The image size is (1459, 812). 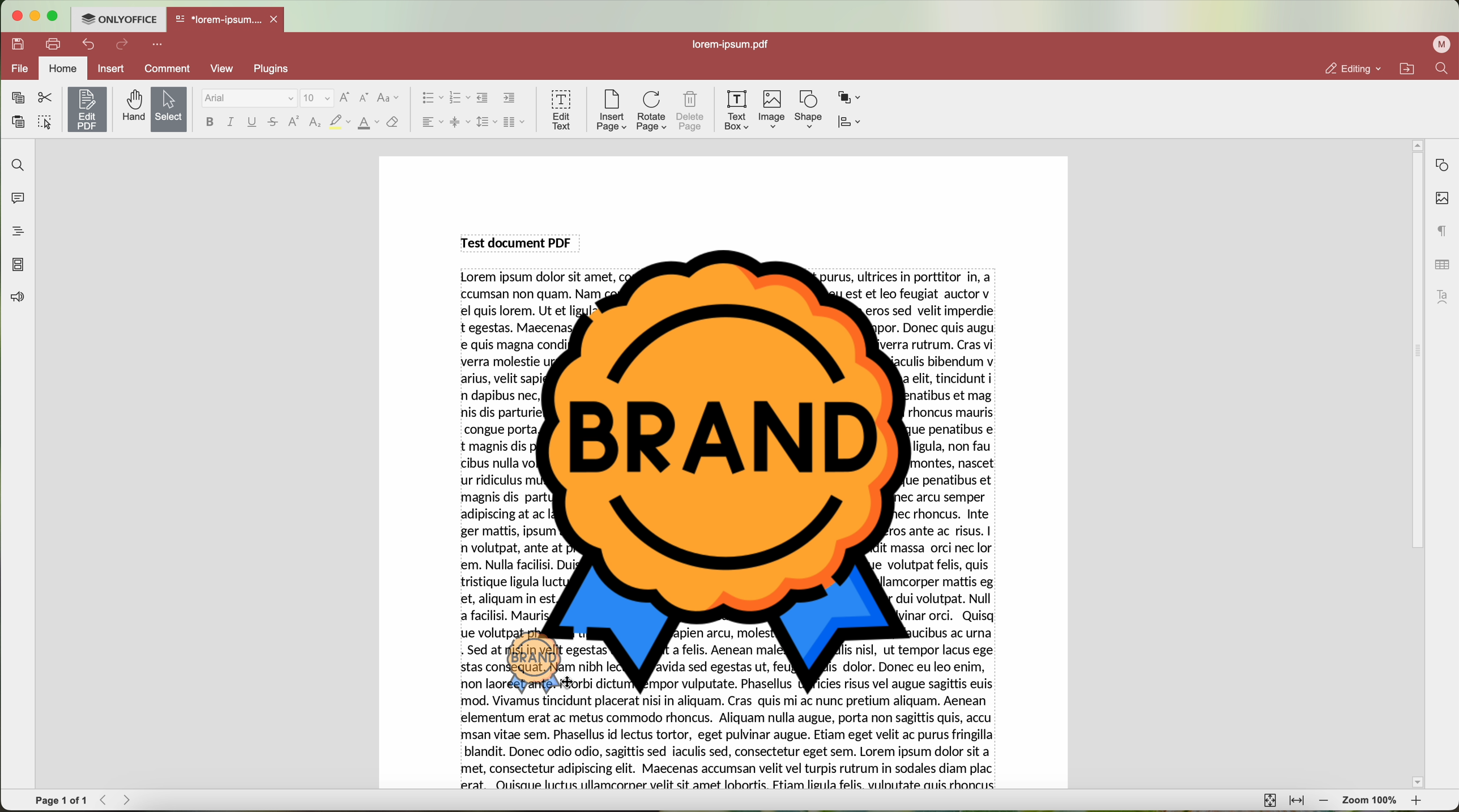 What do you see at coordinates (14, 231) in the screenshot?
I see `headings` at bounding box center [14, 231].